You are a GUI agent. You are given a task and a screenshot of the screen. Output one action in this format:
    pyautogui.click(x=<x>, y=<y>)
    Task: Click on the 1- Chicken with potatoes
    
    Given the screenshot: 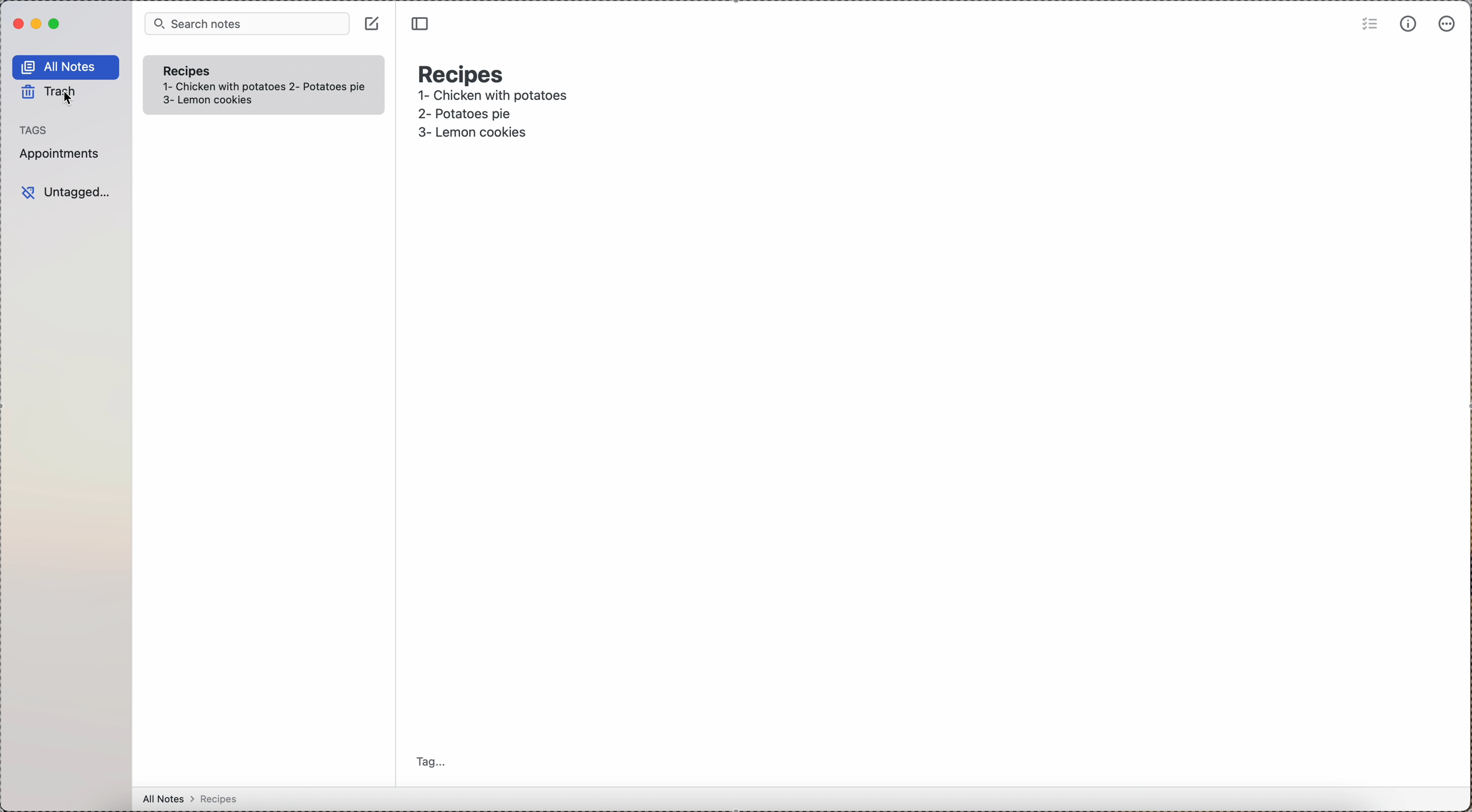 What is the action you would take?
    pyautogui.click(x=495, y=97)
    